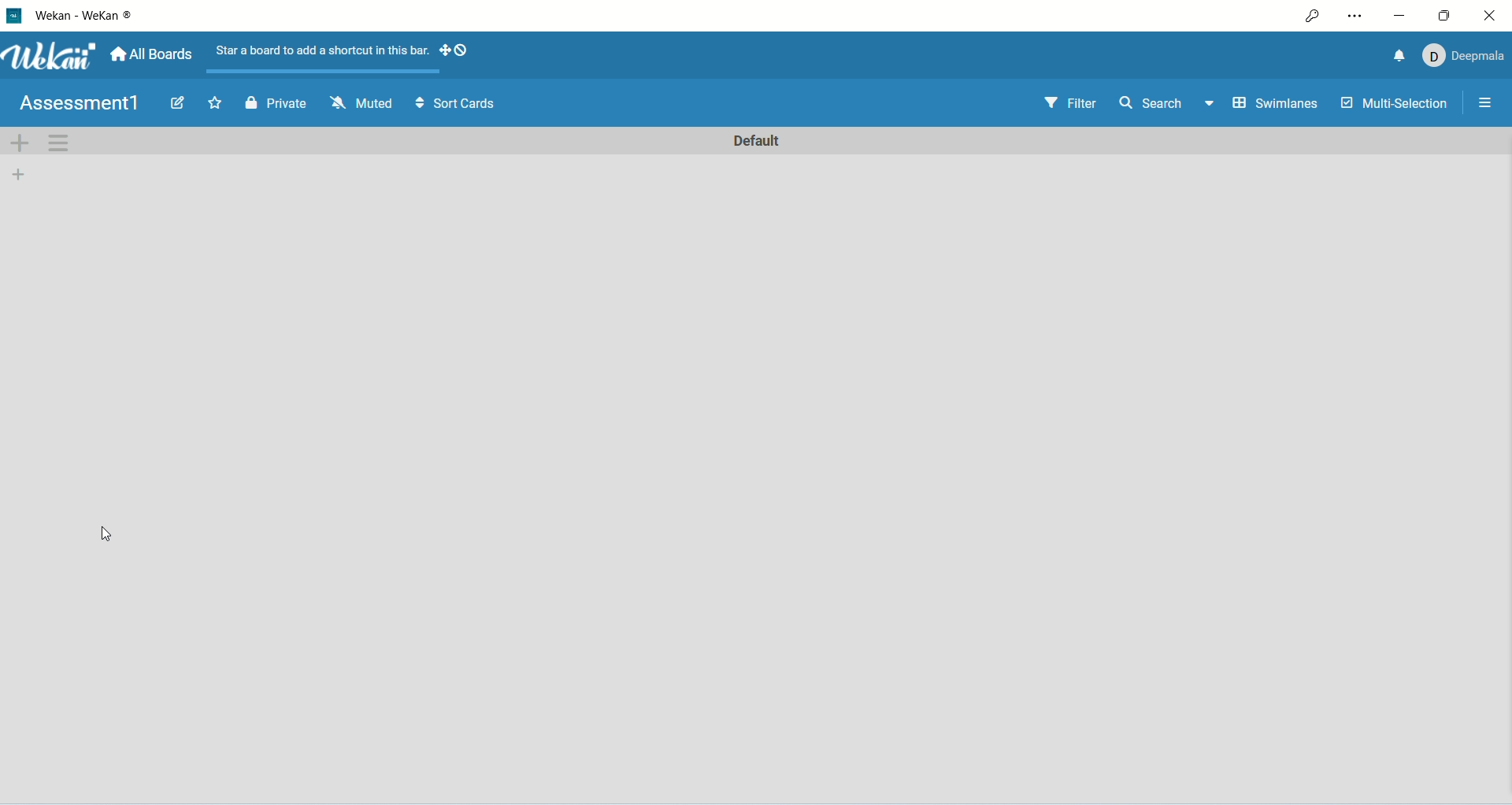 The image size is (1512, 805). I want to click on swimlanes, so click(1281, 106).